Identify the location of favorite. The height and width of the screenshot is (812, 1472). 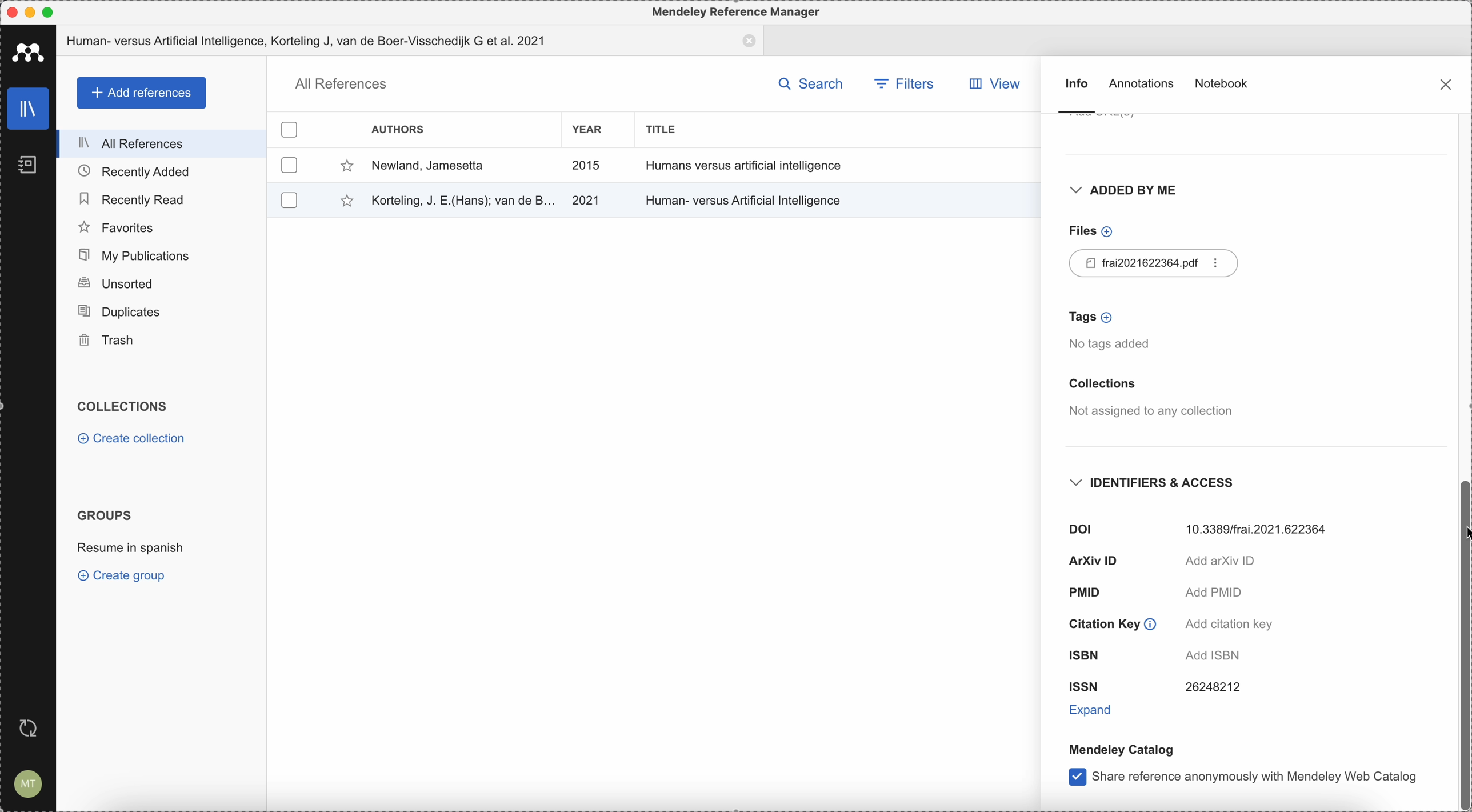
(339, 202).